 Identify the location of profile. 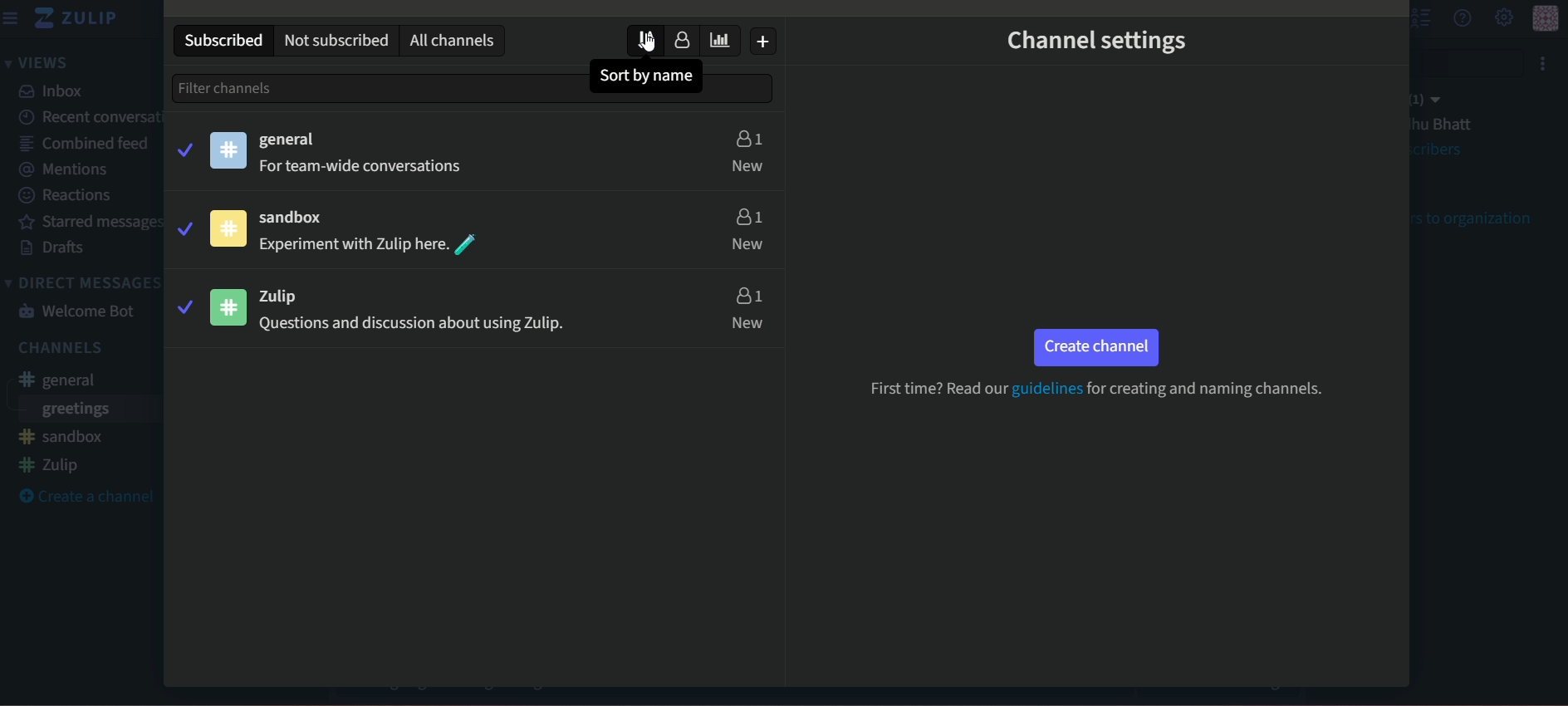
(1551, 17).